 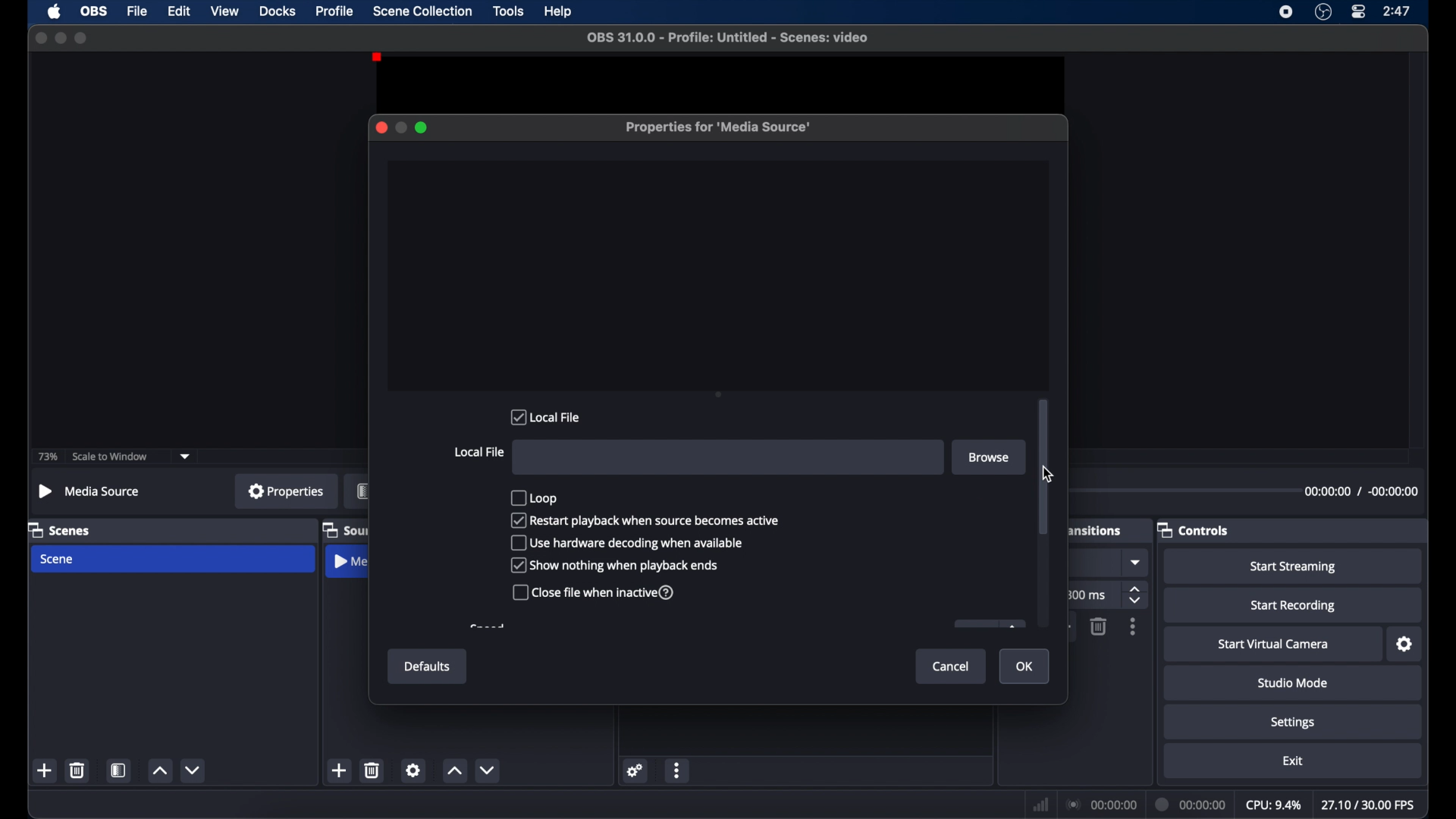 I want to click on properties for media source, so click(x=720, y=127).